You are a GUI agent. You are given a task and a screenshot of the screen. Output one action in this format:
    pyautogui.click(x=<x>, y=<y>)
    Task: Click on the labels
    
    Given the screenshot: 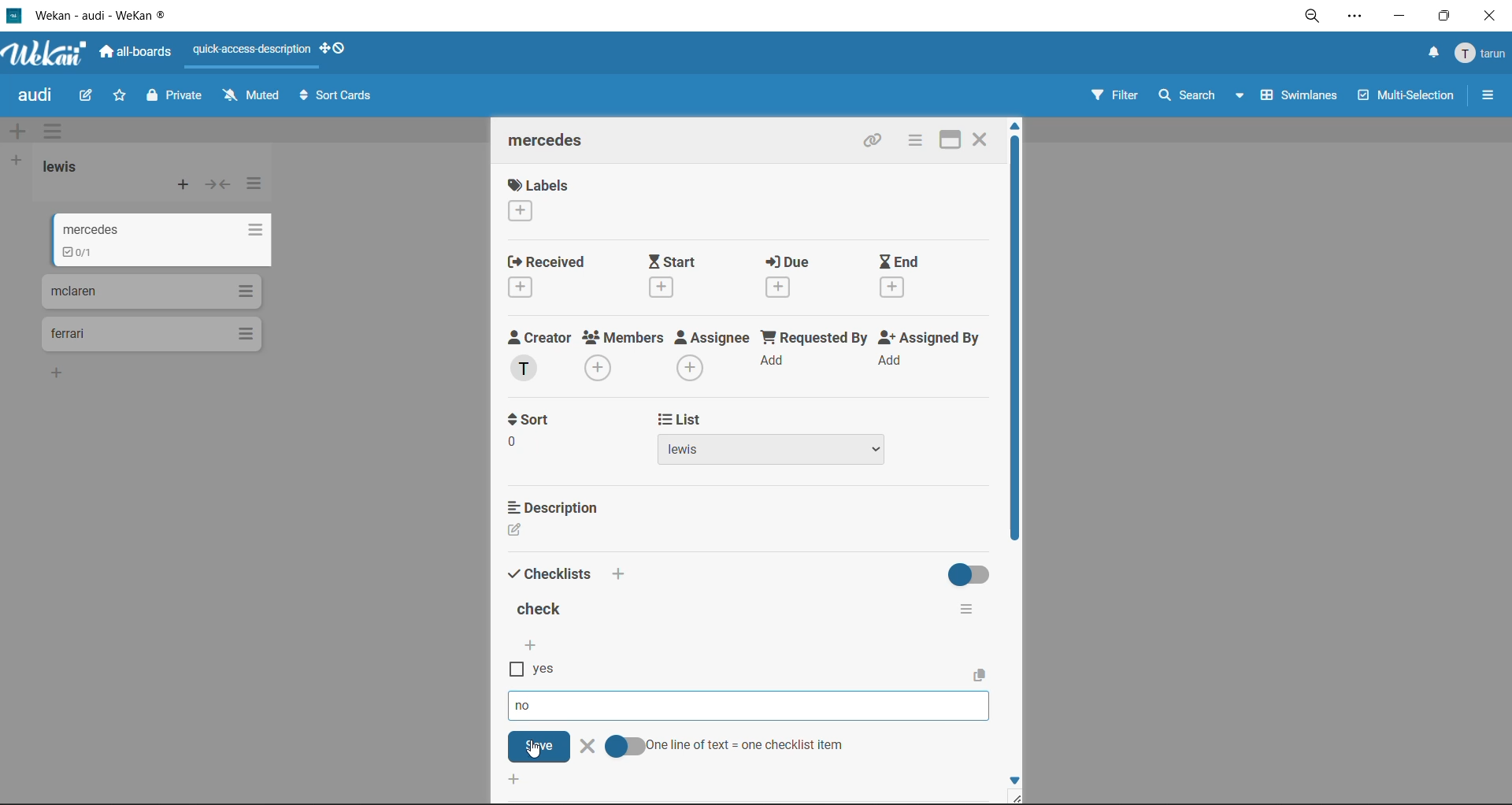 What is the action you would take?
    pyautogui.click(x=538, y=202)
    